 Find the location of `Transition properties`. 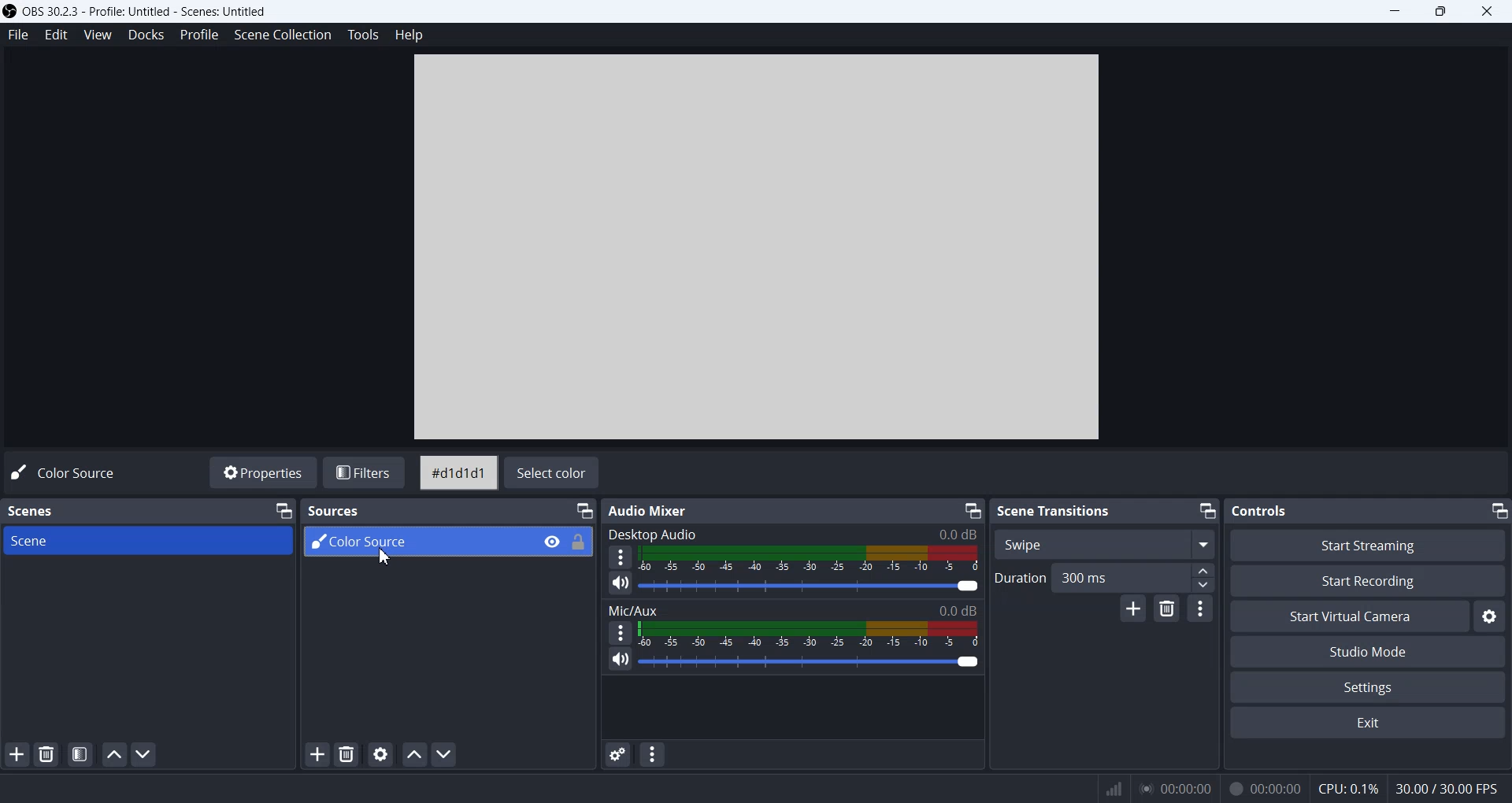

Transition properties is located at coordinates (1200, 608).